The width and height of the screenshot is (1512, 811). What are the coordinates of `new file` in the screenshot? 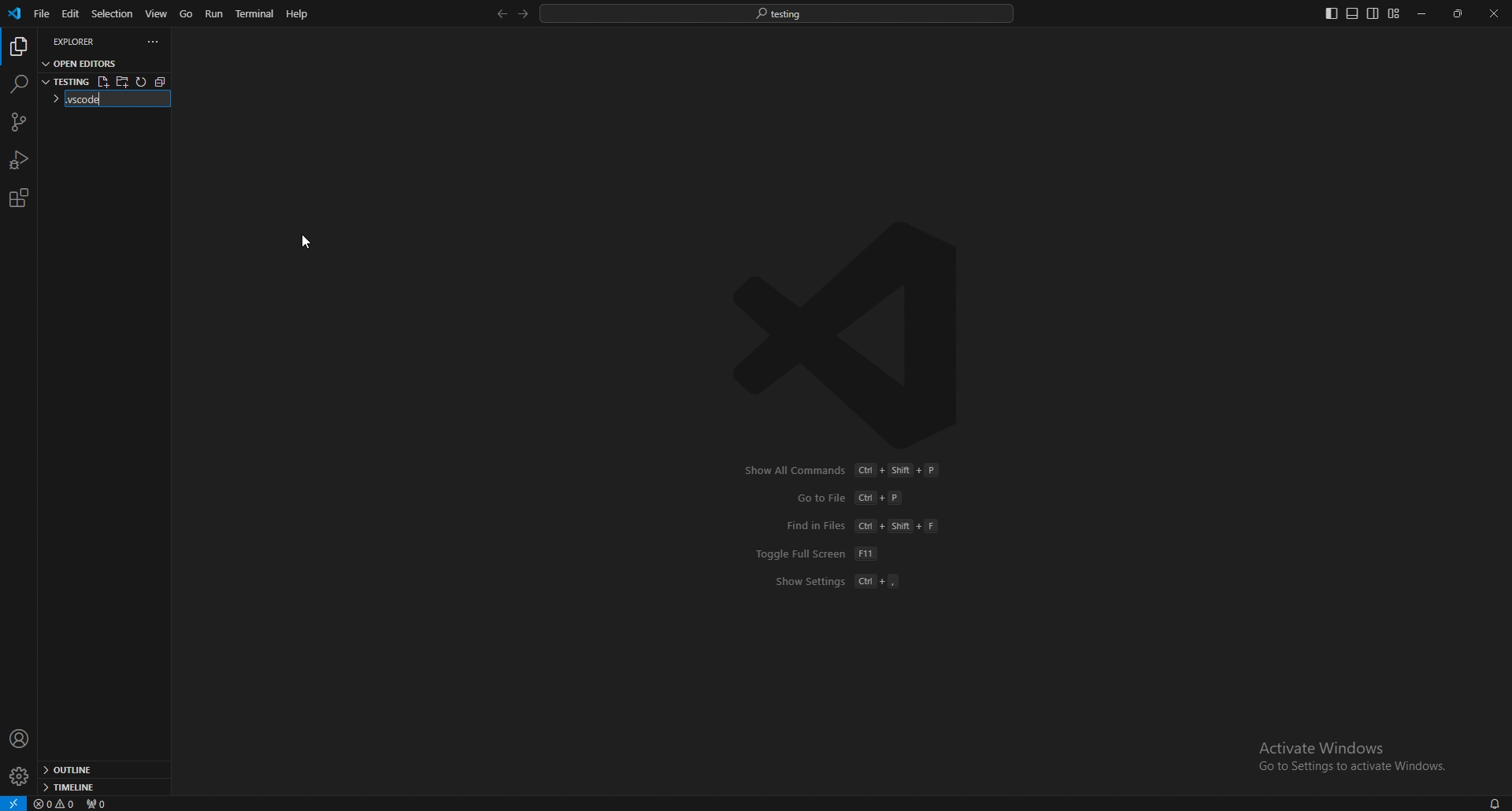 It's located at (102, 82).